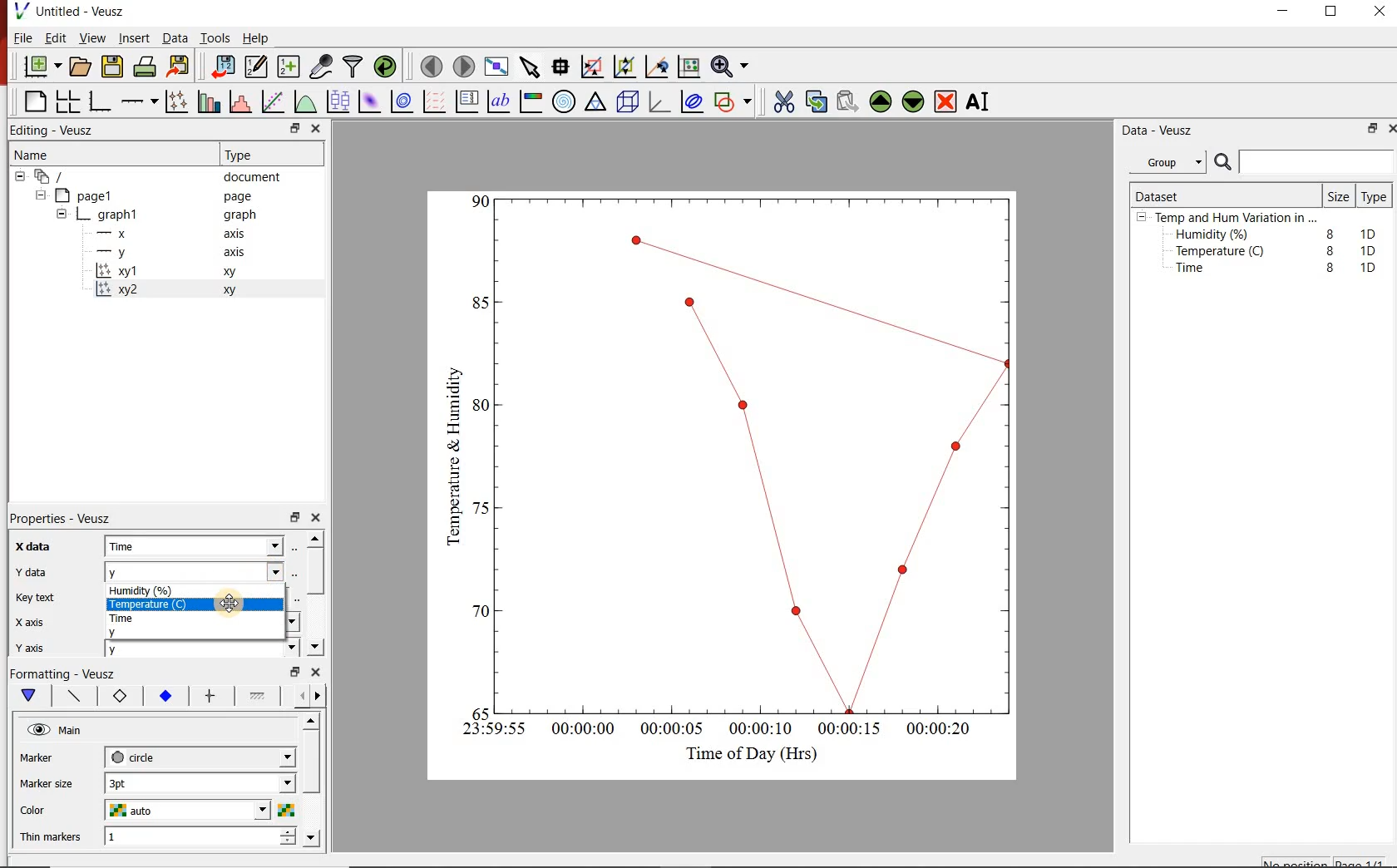  What do you see at coordinates (385, 67) in the screenshot?
I see `reload linked datasets` at bounding box center [385, 67].